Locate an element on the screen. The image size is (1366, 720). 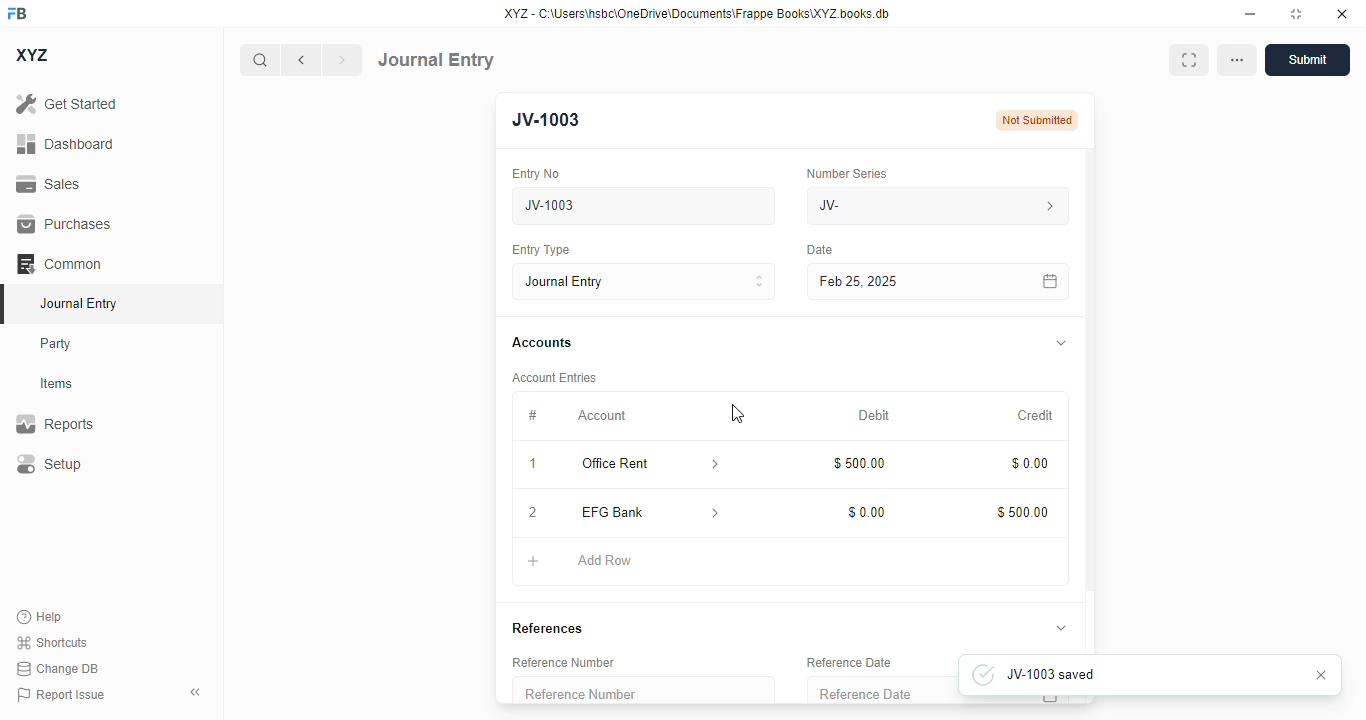
account information is located at coordinates (716, 465).